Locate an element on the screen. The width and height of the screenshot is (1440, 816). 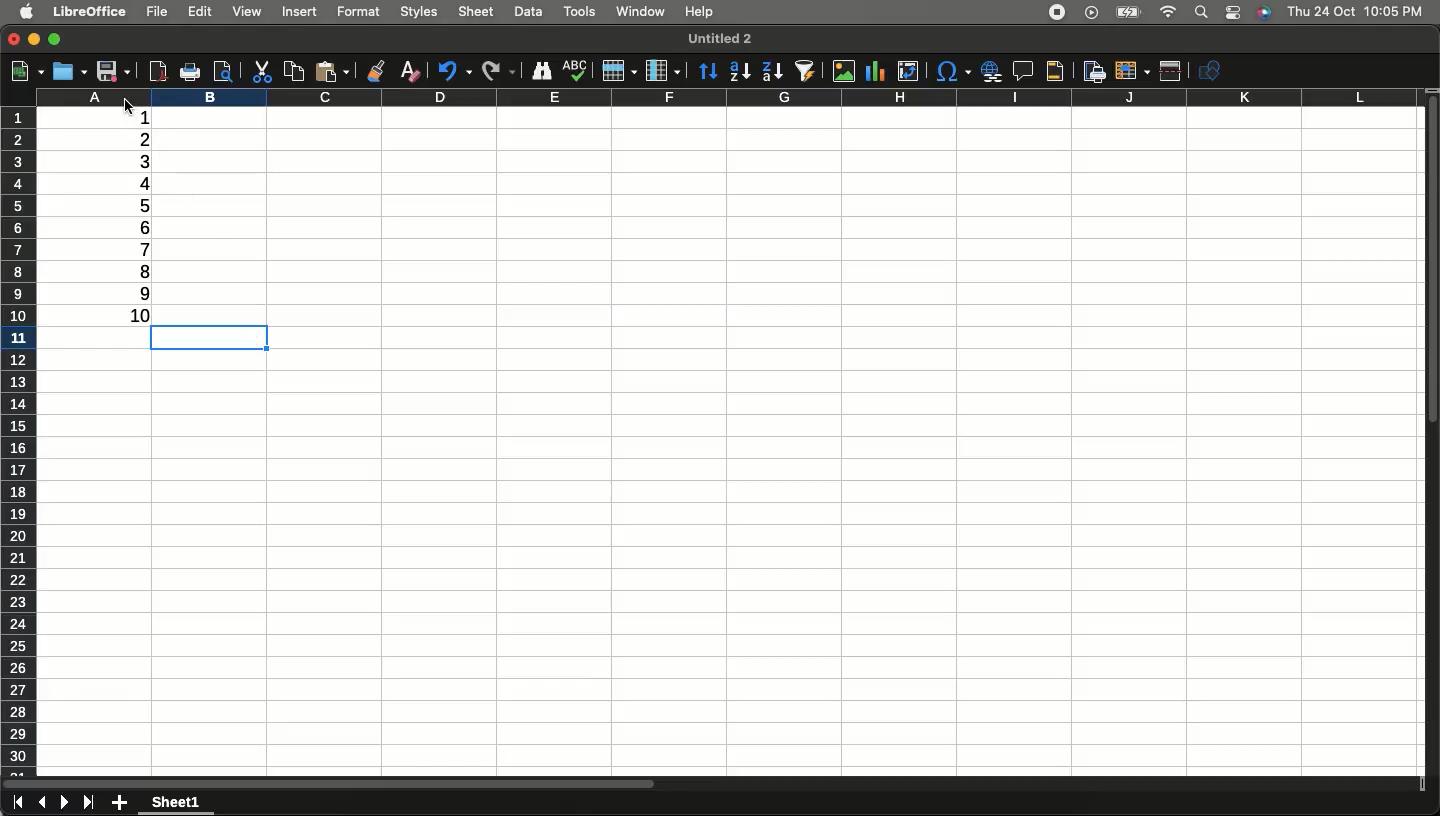
9 is located at coordinates (144, 291).